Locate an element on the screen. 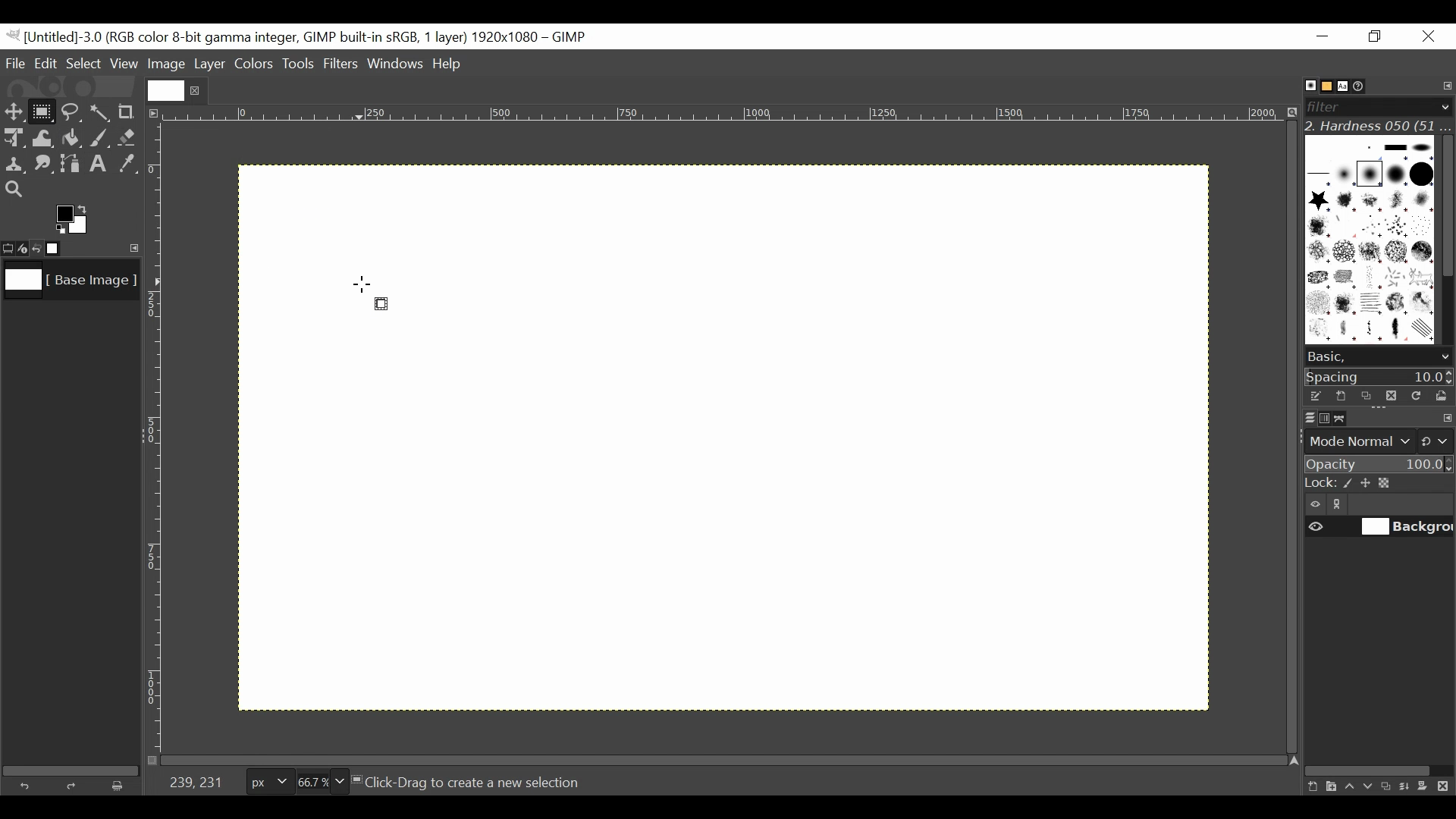 The image size is (1456, 819). Image is located at coordinates (68, 284).